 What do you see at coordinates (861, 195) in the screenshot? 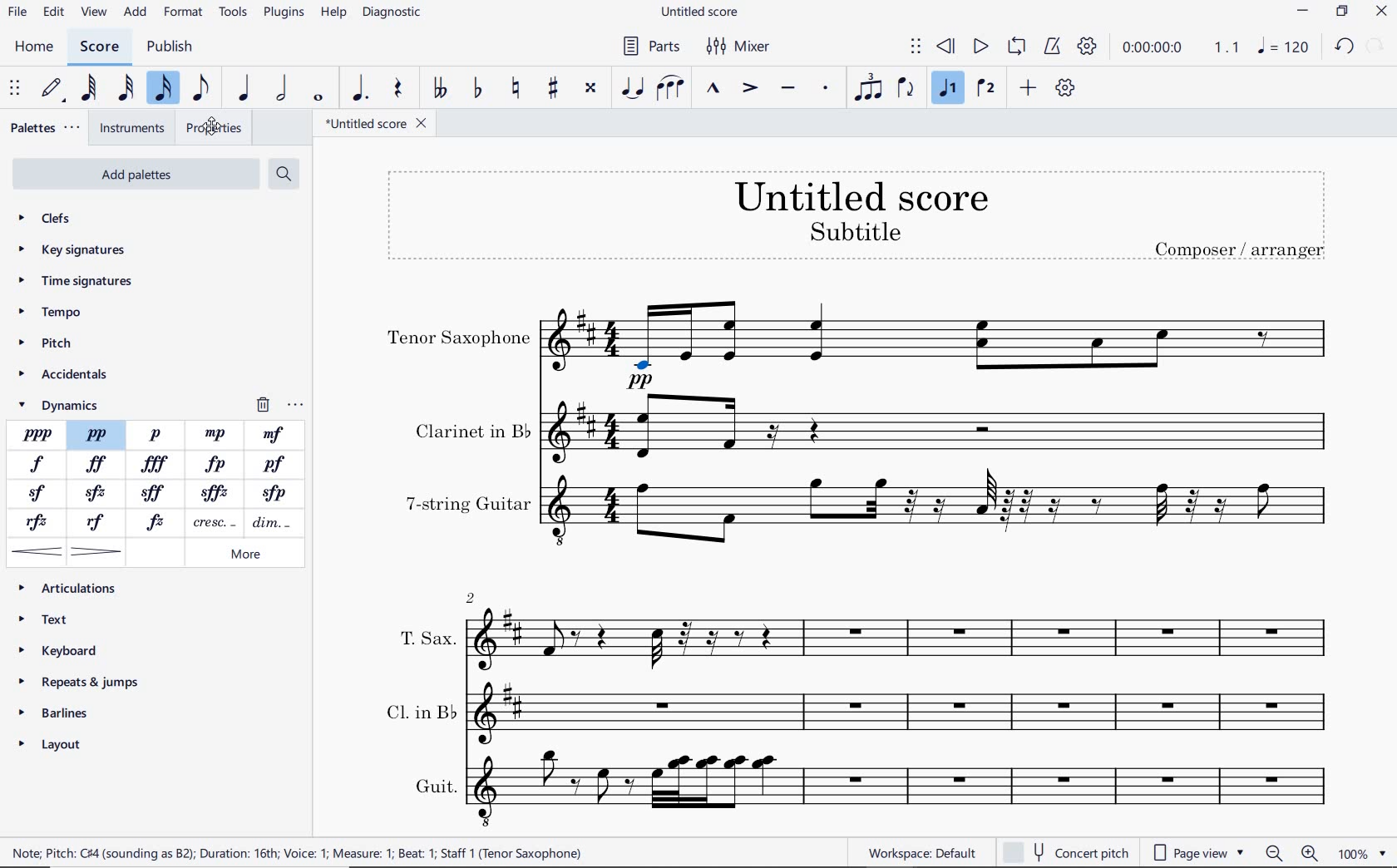
I see `text` at bounding box center [861, 195].